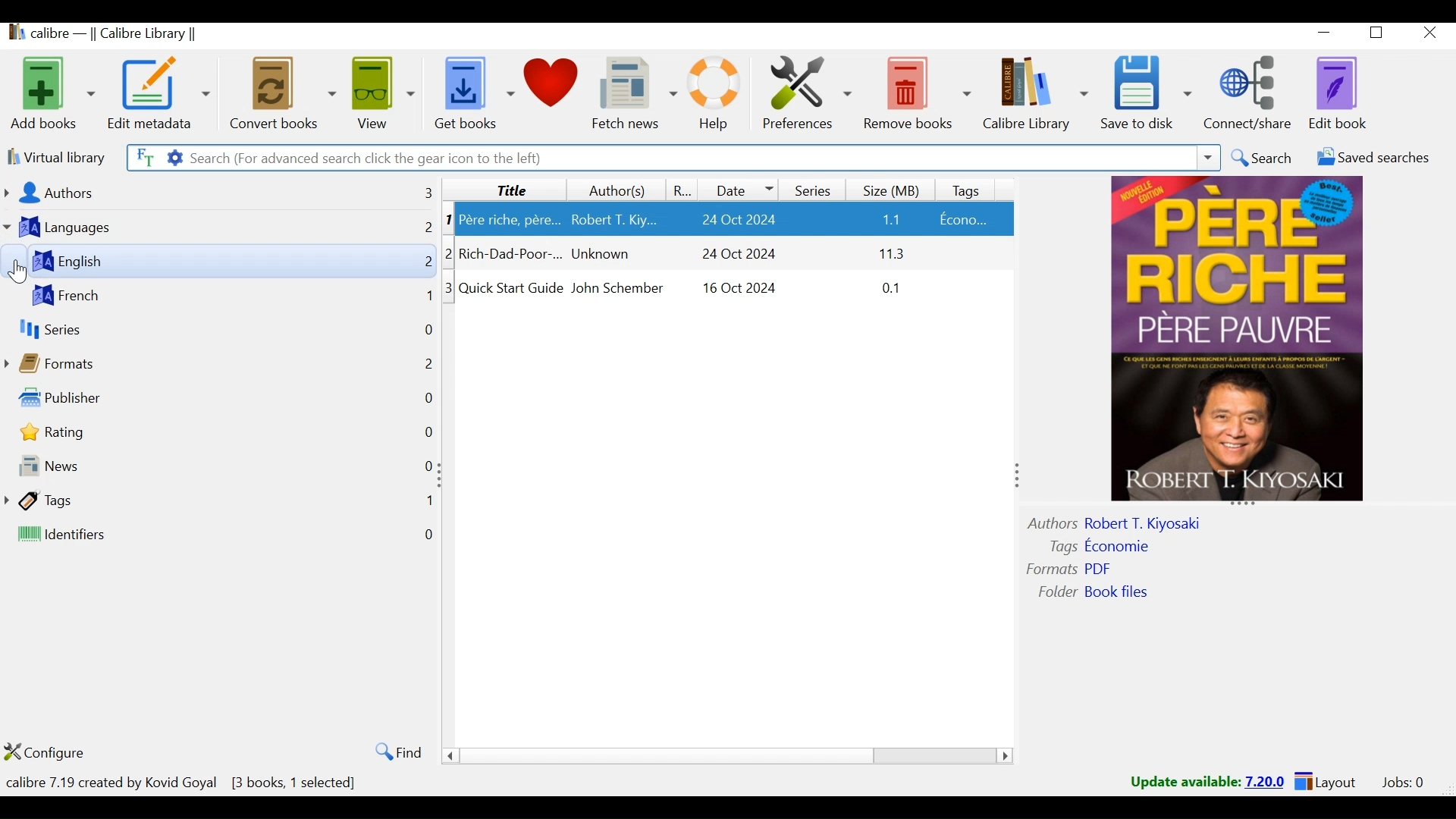  Describe the element at coordinates (635, 93) in the screenshot. I see `Fetch news` at that location.